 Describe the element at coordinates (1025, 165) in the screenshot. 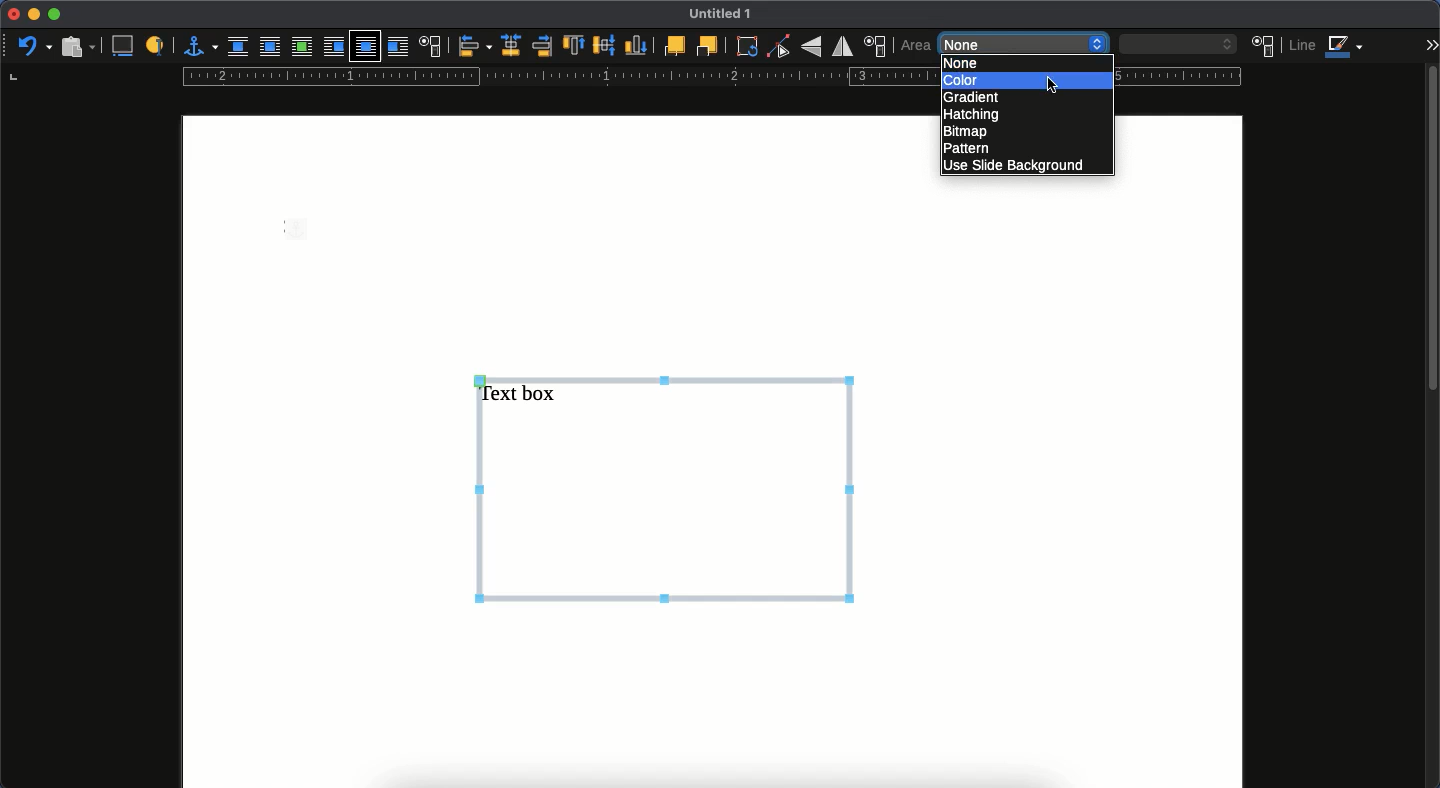

I see `use slide background` at that location.